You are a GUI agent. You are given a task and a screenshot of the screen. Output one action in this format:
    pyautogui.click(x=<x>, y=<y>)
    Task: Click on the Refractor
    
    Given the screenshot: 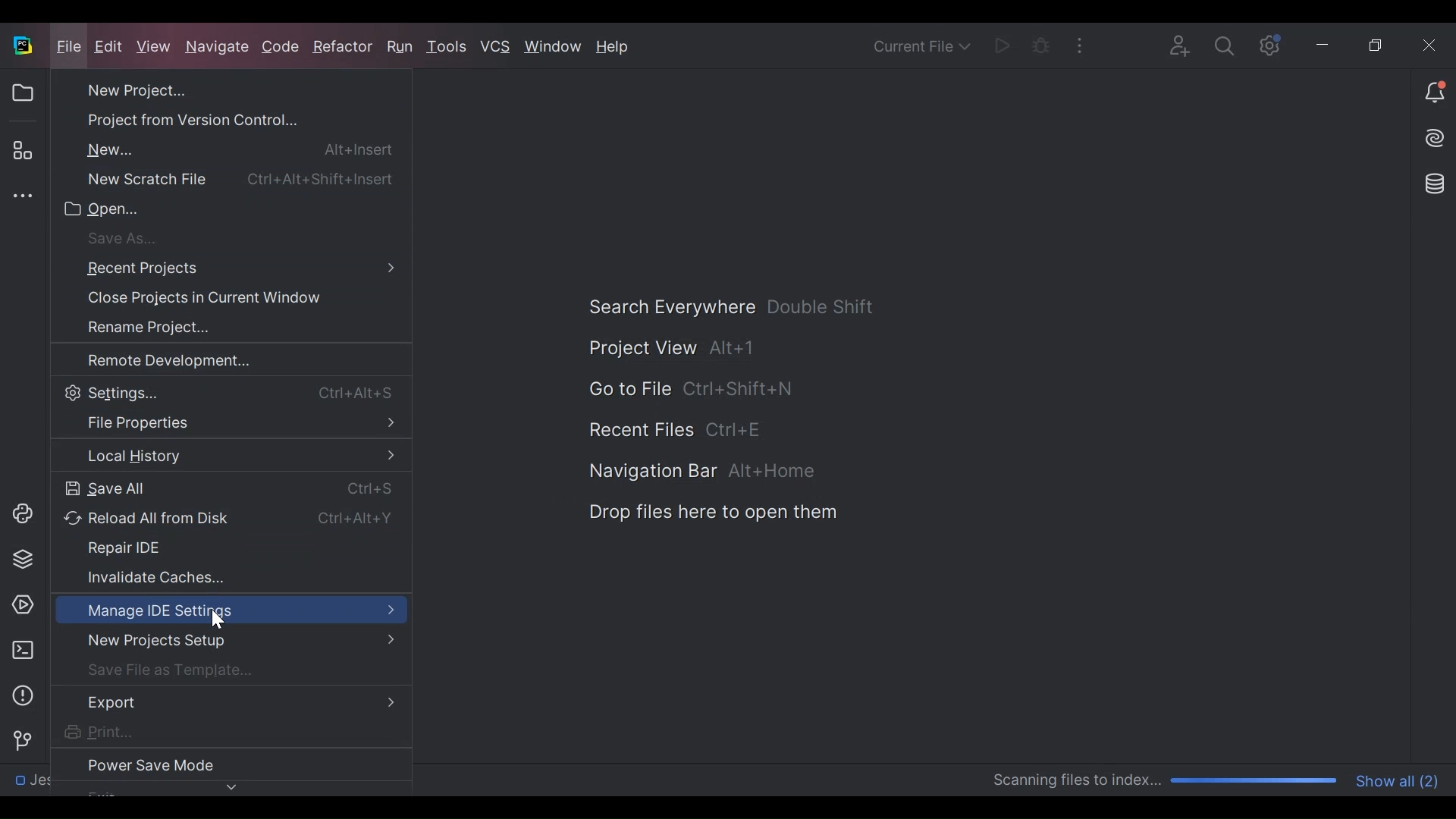 What is the action you would take?
    pyautogui.click(x=342, y=50)
    